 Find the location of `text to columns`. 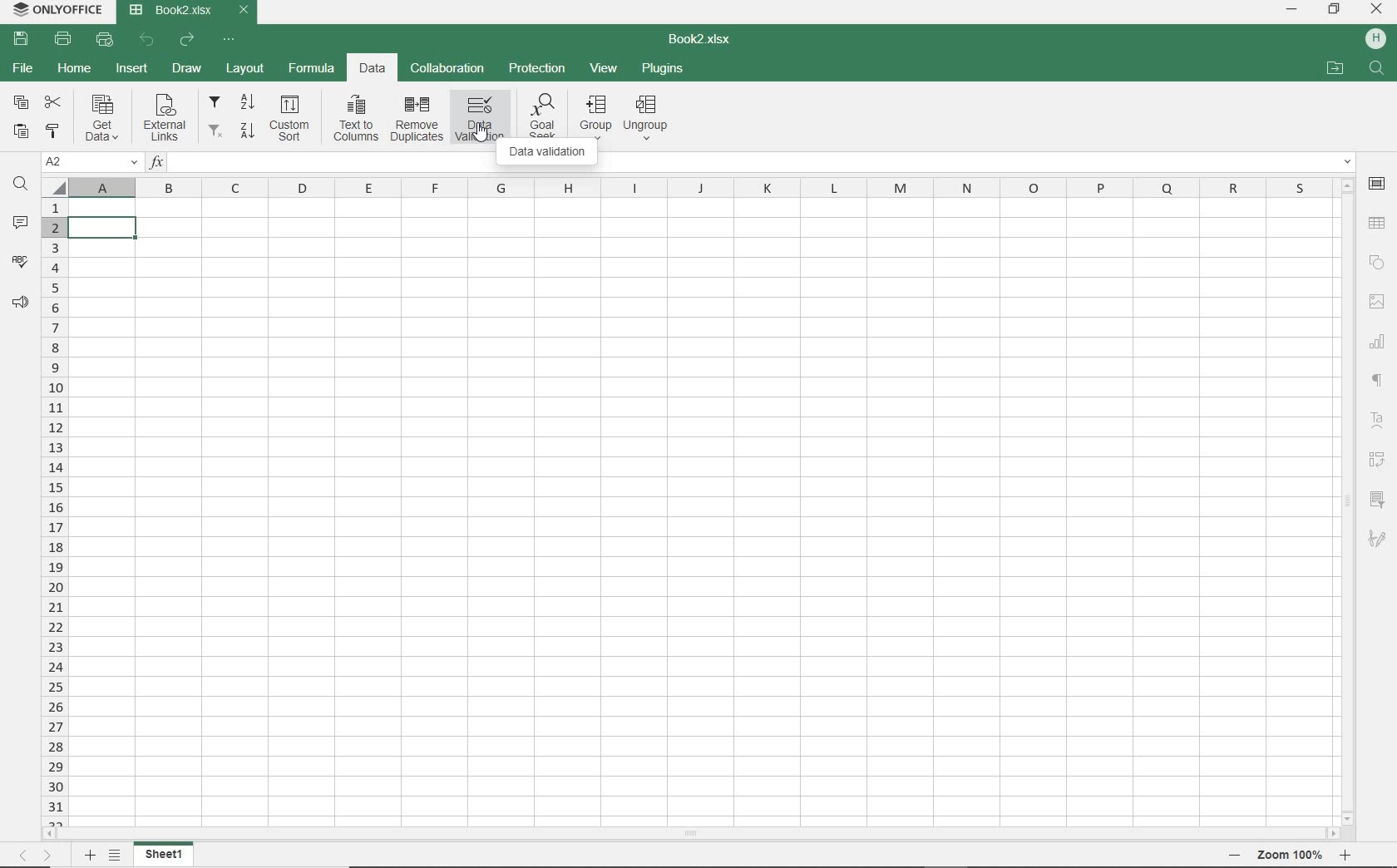

text to columns is located at coordinates (357, 117).